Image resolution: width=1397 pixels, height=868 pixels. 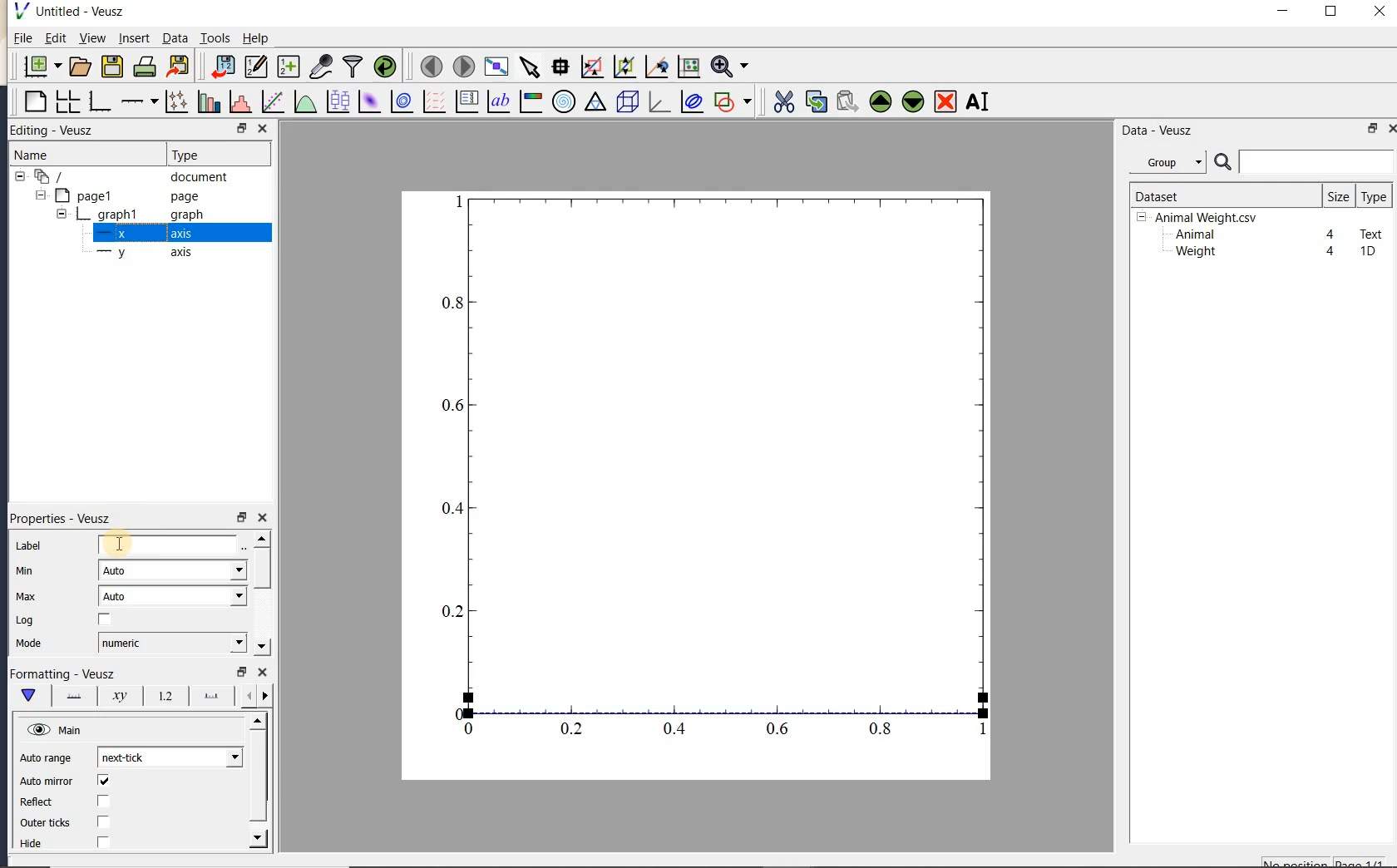 What do you see at coordinates (1331, 12) in the screenshot?
I see `maximize` at bounding box center [1331, 12].